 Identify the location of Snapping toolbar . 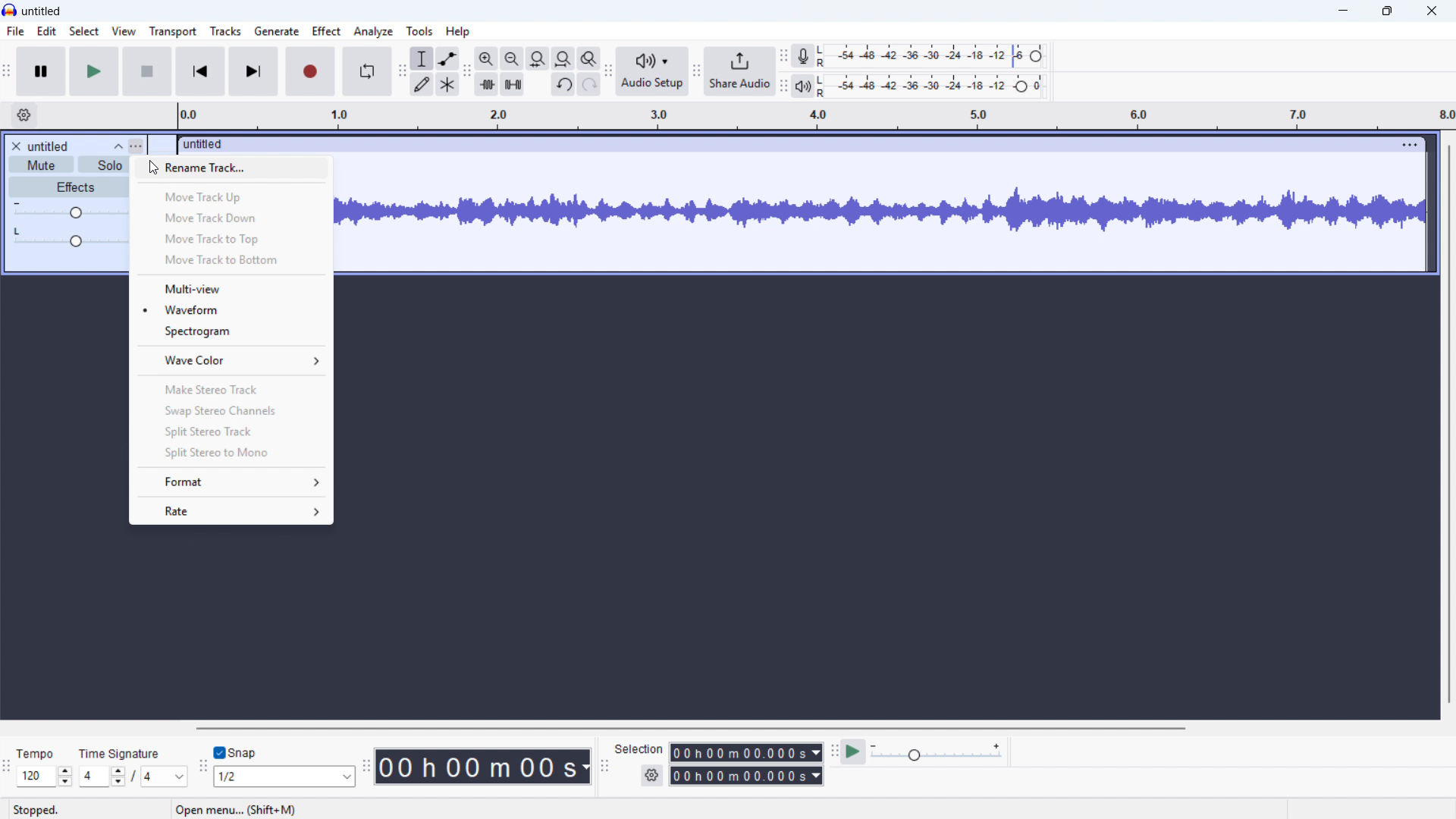
(202, 767).